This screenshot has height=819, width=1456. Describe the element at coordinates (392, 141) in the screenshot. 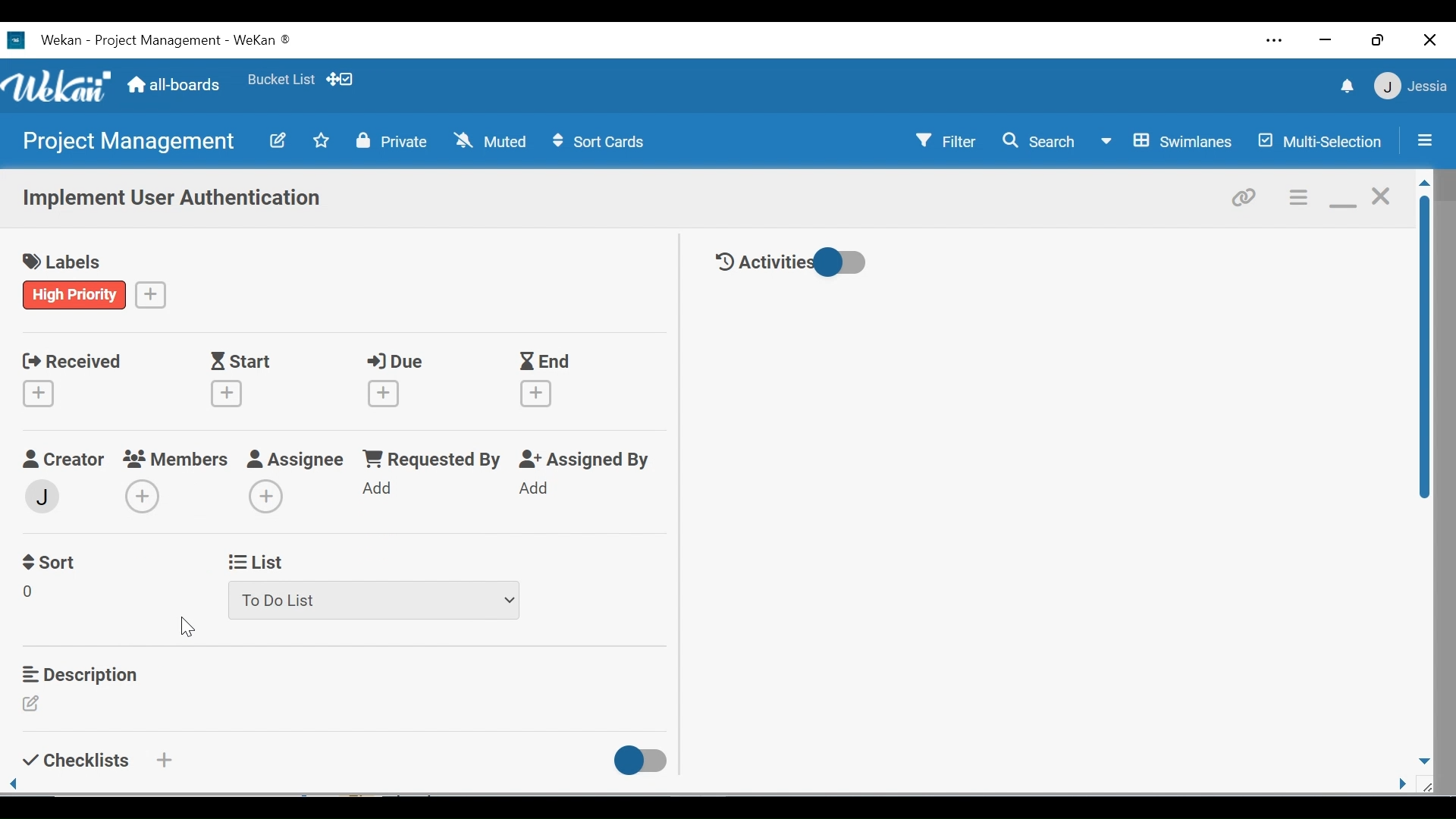

I see `Private` at that location.